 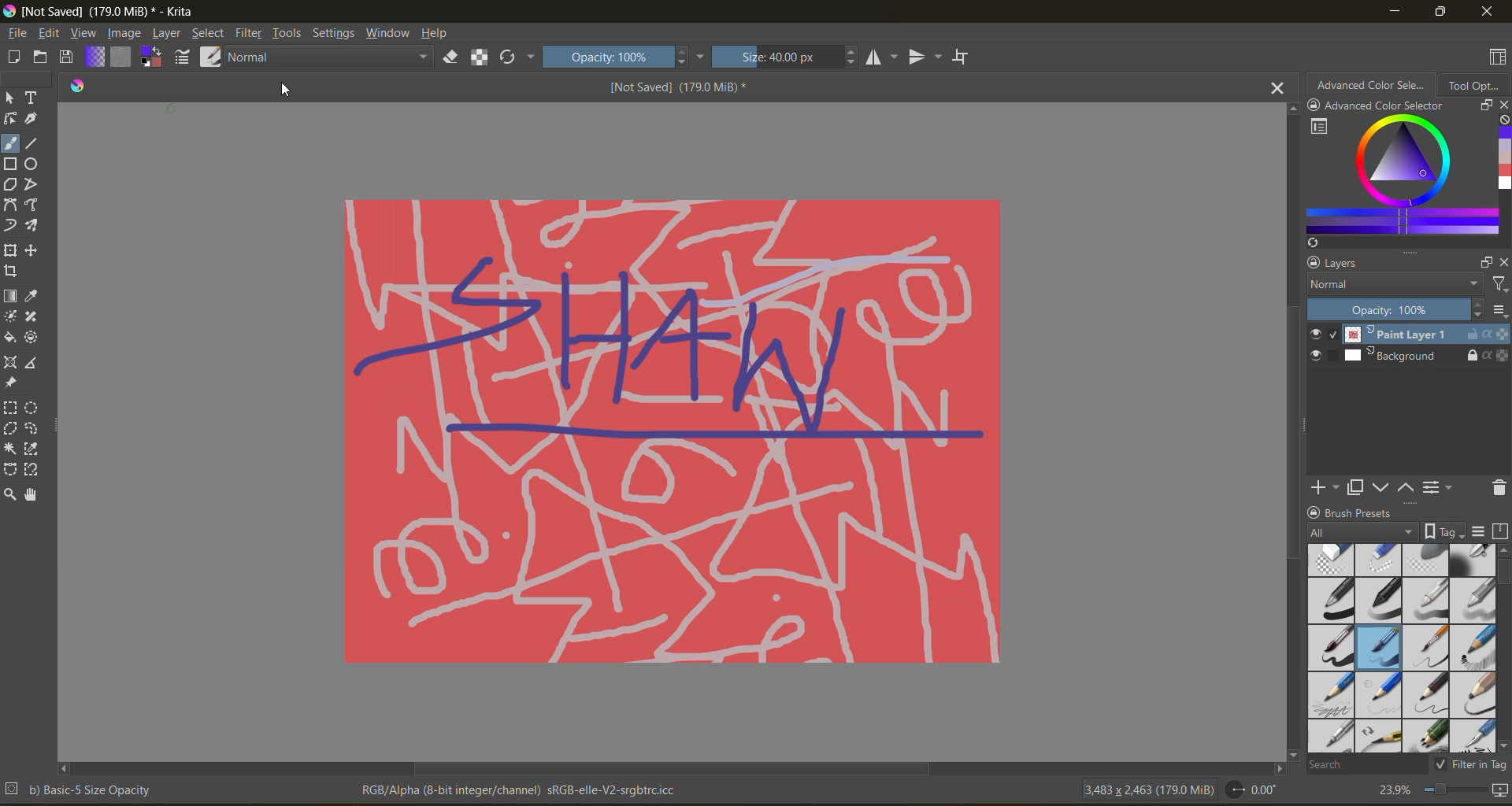 What do you see at coordinates (34, 449) in the screenshot?
I see `similar selection tool` at bounding box center [34, 449].